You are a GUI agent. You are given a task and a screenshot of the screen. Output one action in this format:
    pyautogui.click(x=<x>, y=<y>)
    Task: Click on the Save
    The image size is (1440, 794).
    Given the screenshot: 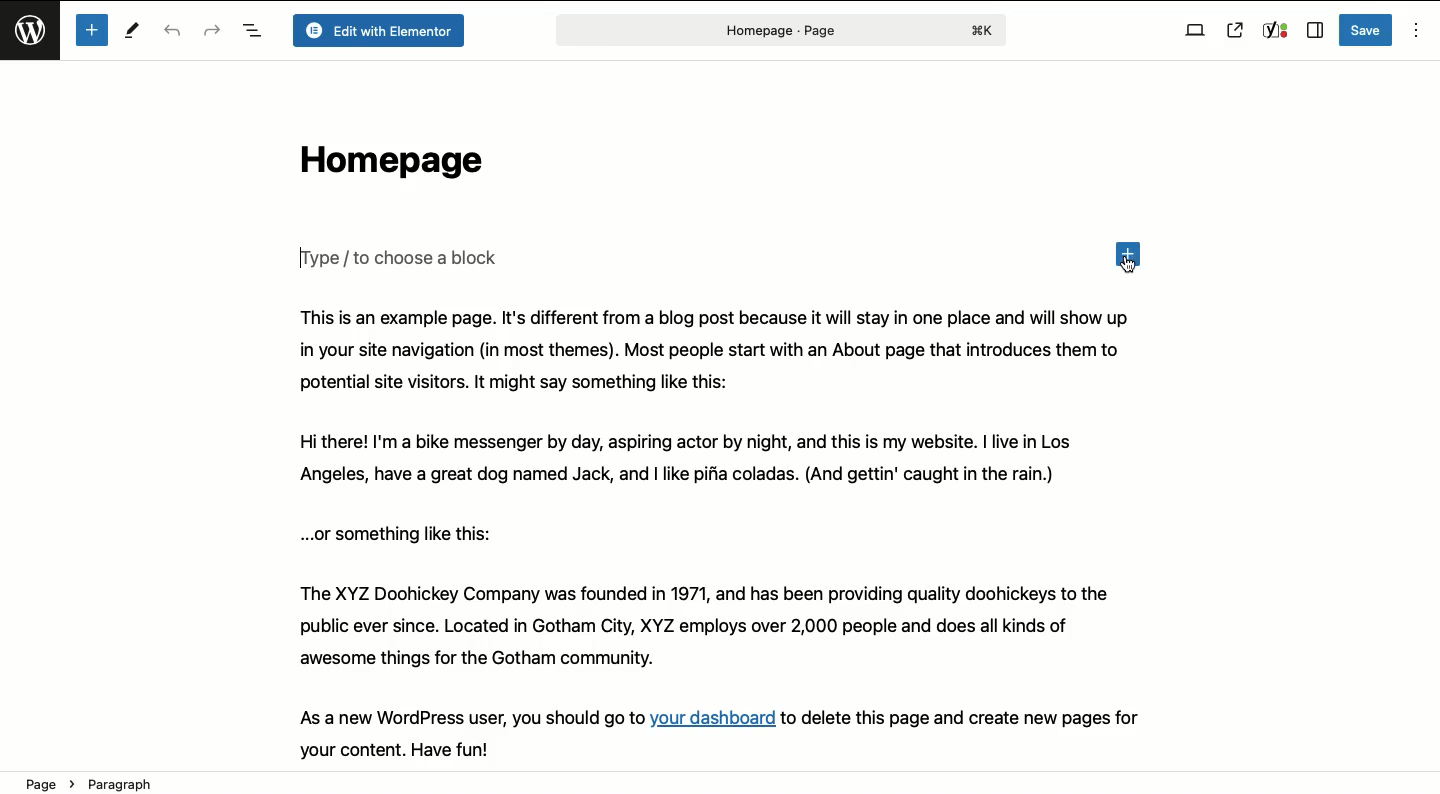 What is the action you would take?
    pyautogui.click(x=1367, y=30)
    